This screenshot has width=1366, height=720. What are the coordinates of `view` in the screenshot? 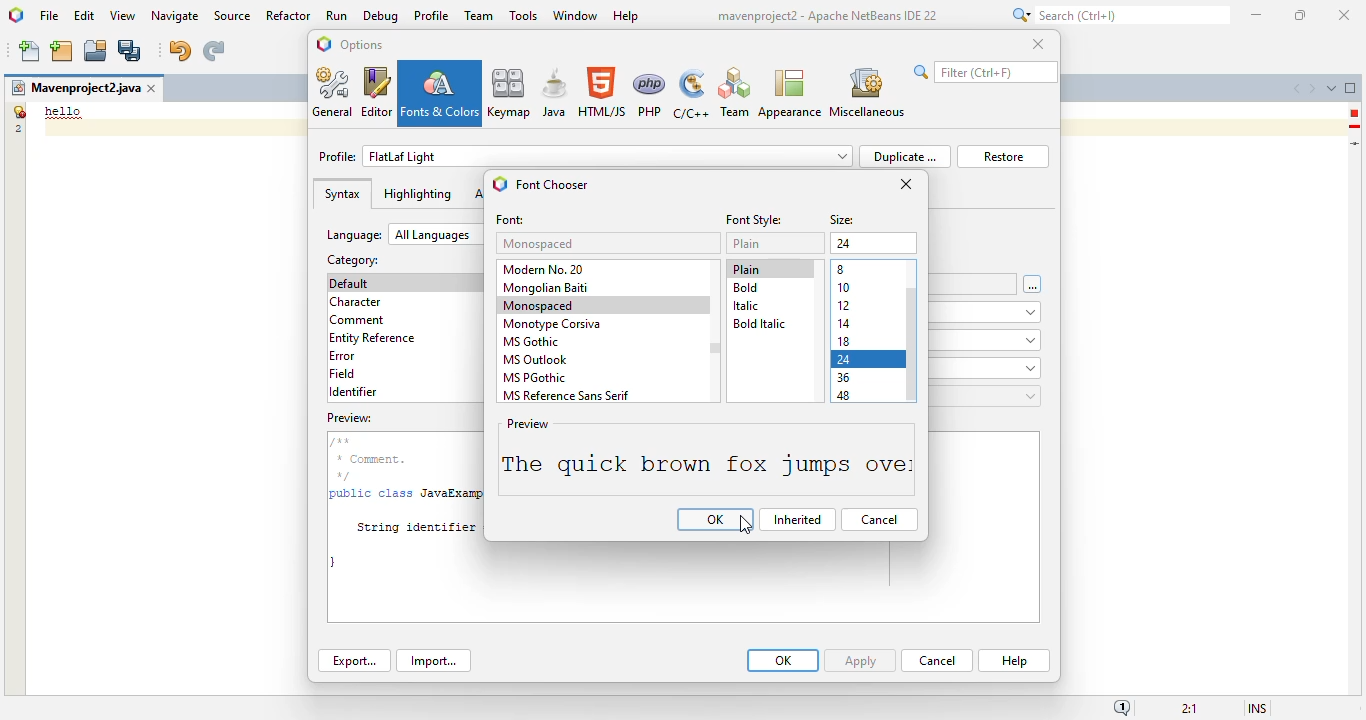 It's located at (123, 16).